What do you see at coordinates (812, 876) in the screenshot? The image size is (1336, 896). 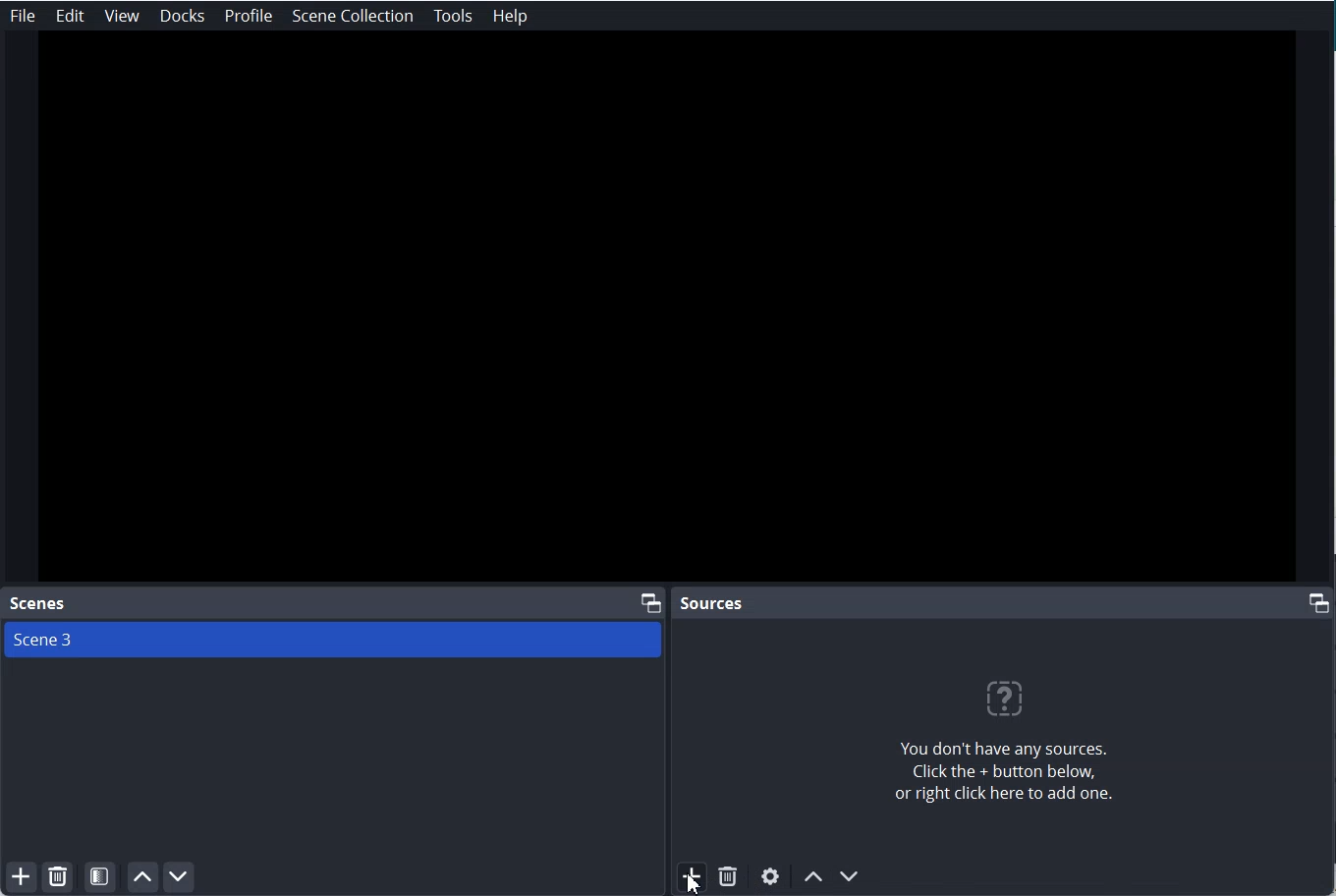 I see `Move Source up` at bounding box center [812, 876].